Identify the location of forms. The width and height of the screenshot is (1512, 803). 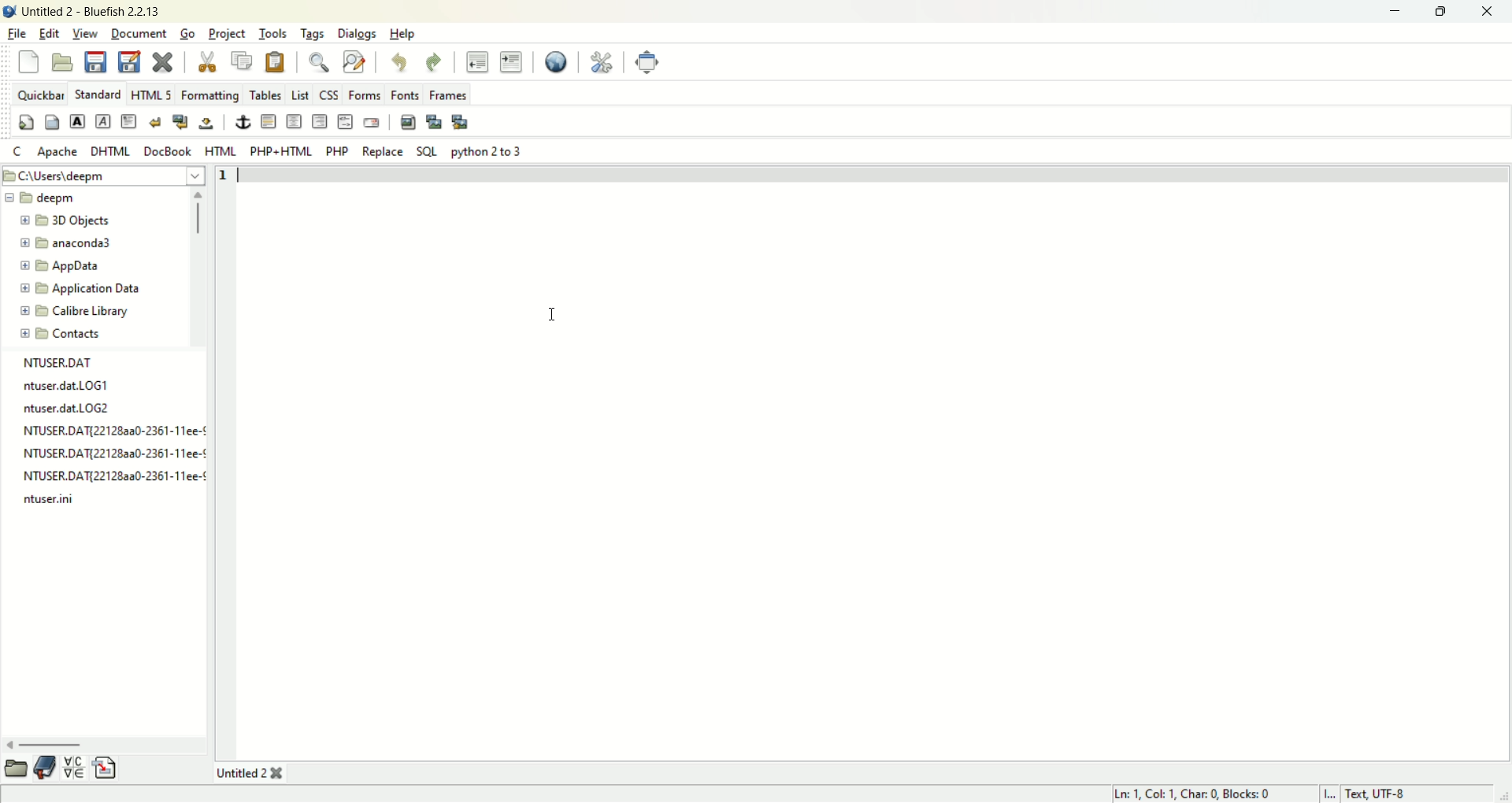
(365, 96).